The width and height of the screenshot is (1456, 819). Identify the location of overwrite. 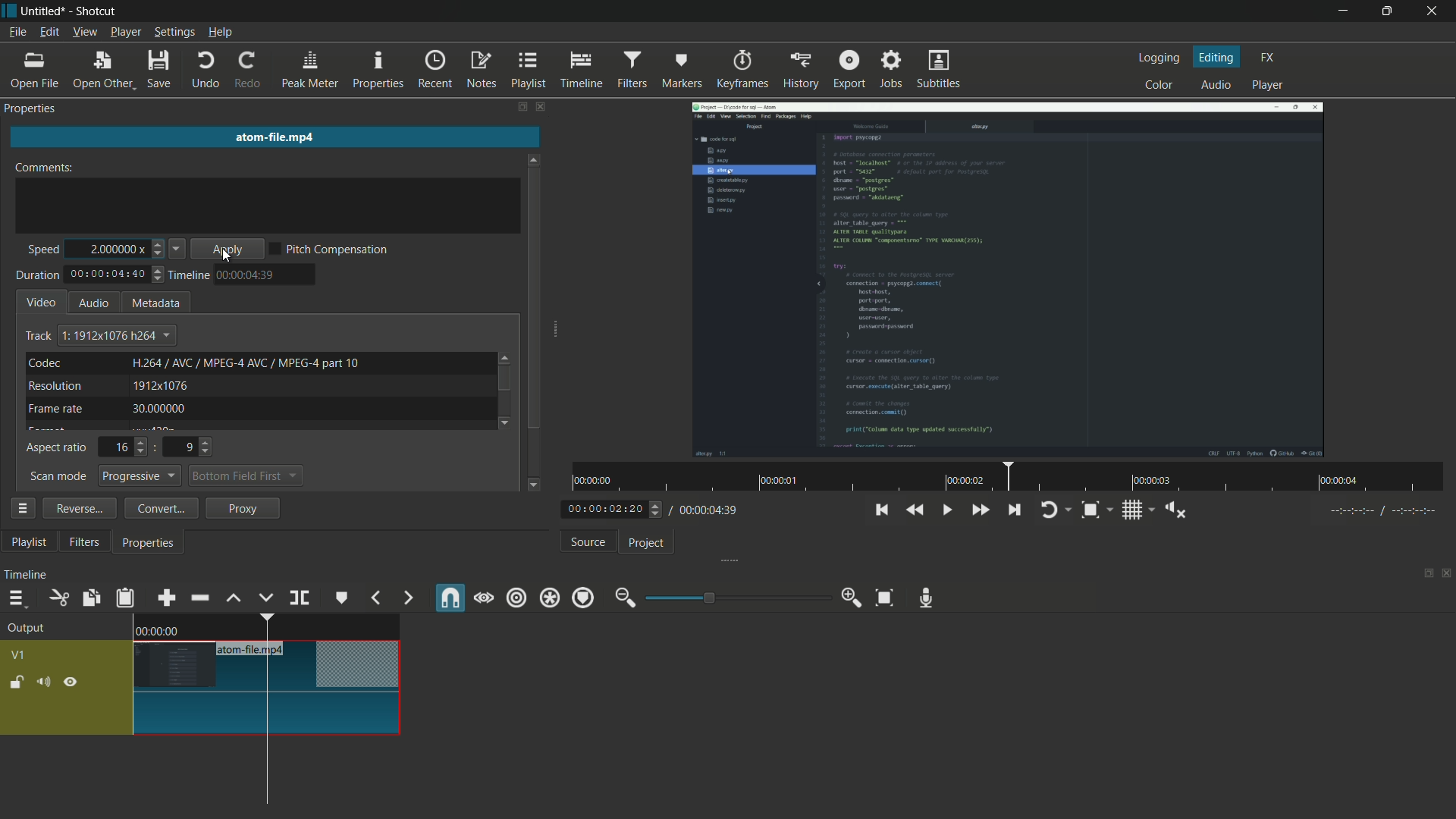
(265, 598).